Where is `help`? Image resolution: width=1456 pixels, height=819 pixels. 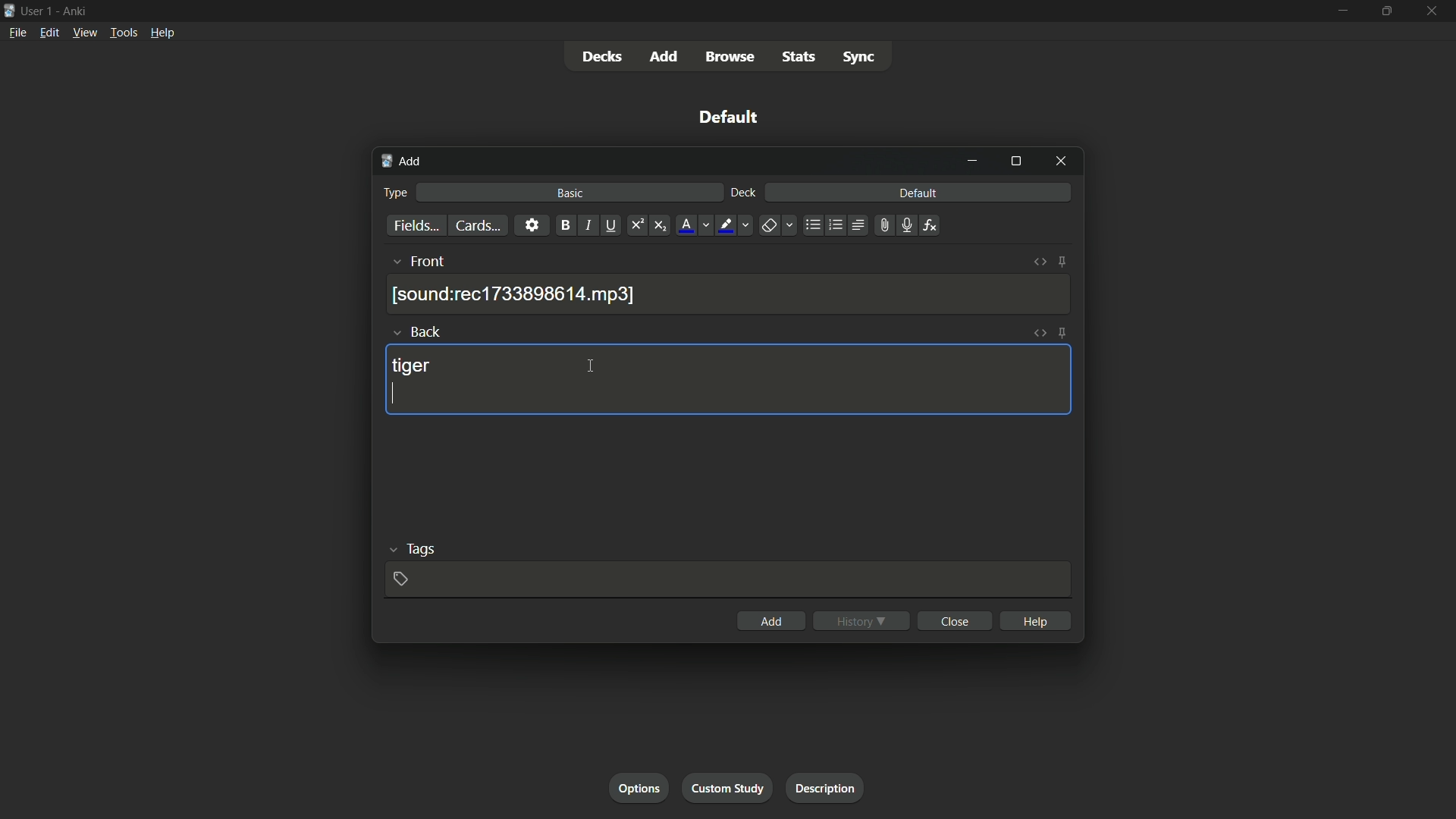 help is located at coordinates (1035, 620).